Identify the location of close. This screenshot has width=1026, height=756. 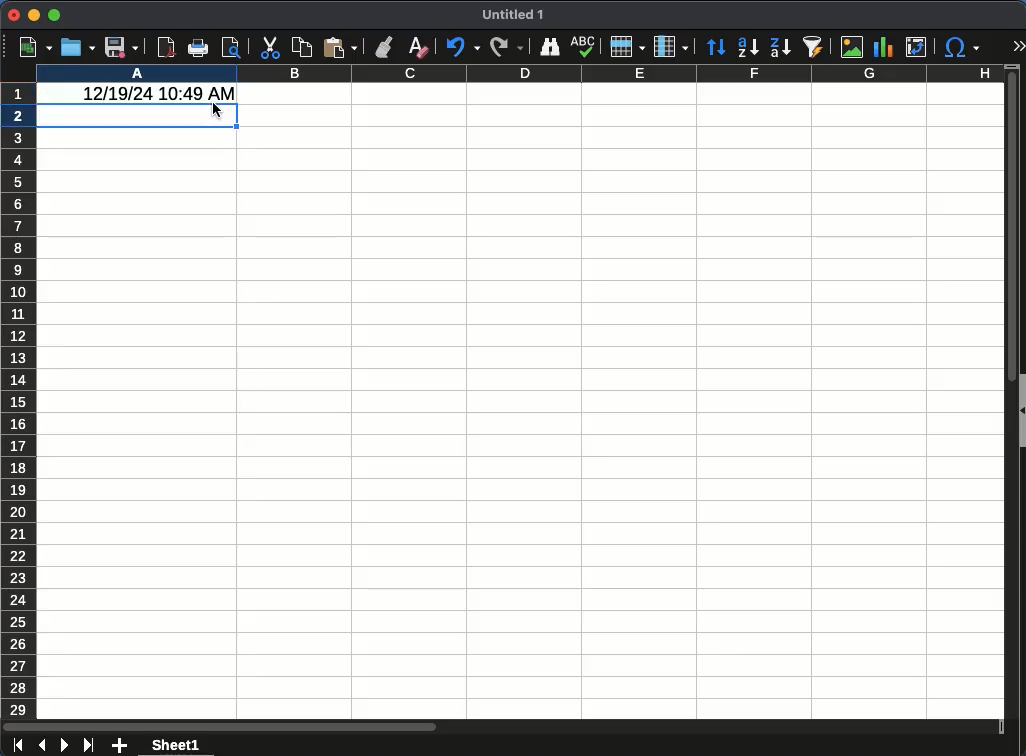
(14, 16).